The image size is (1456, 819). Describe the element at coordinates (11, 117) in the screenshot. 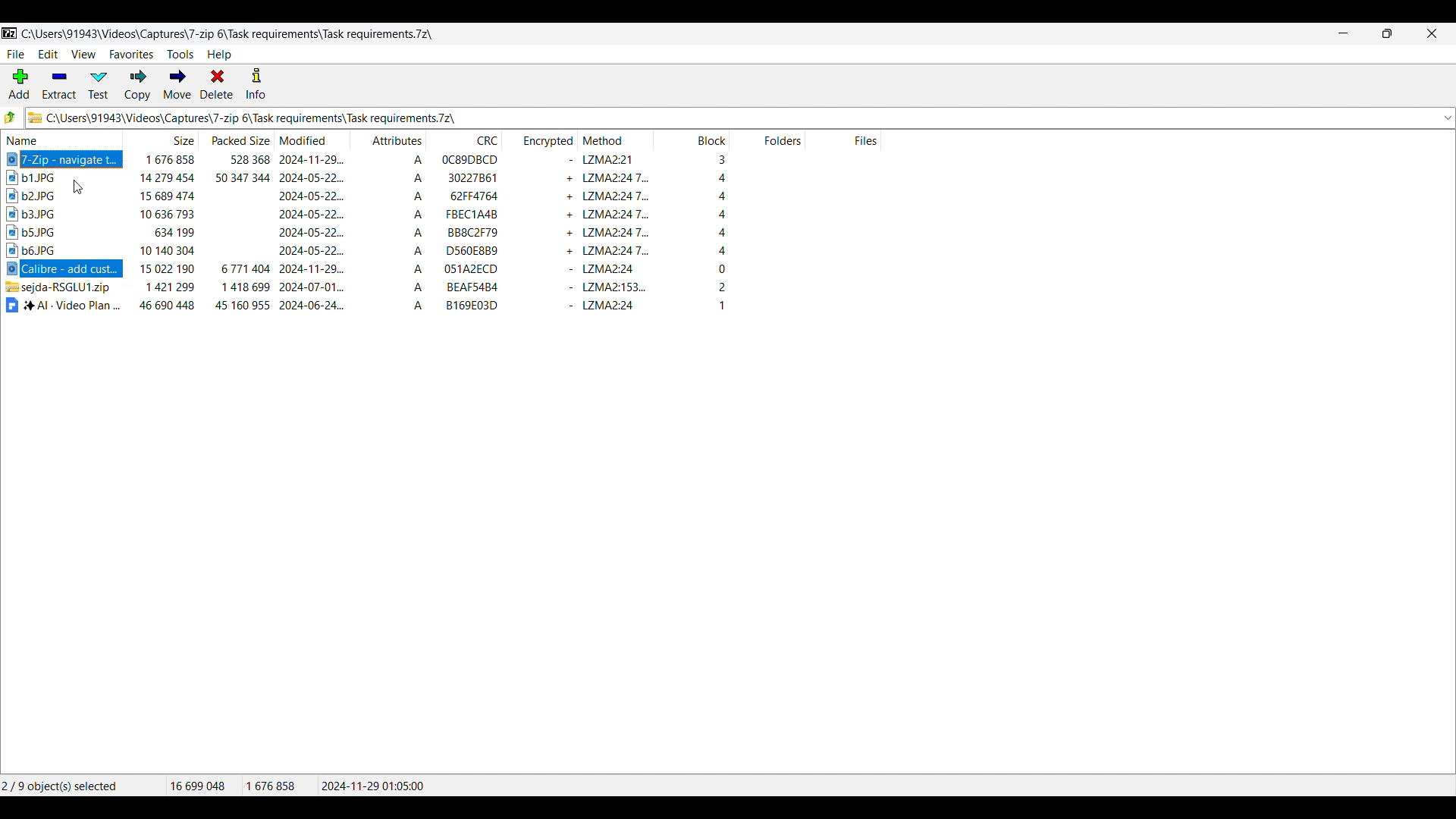

I see `Go to previous folder` at that location.